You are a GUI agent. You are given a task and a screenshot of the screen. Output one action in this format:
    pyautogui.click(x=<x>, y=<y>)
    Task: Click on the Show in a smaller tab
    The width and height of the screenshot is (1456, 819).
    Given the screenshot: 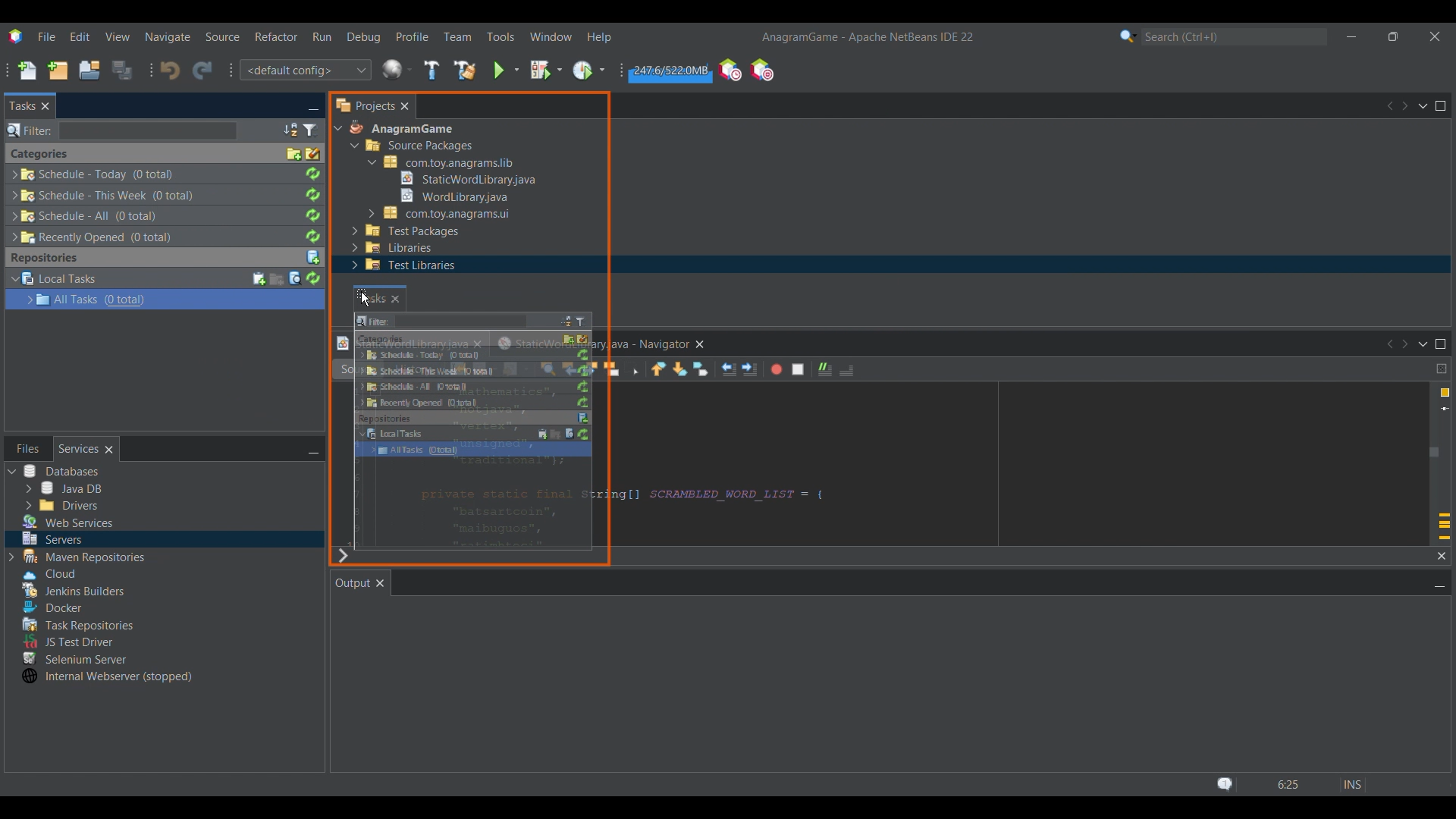 What is the action you would take?
    pyautogui.click(x=1393, y=36)
    